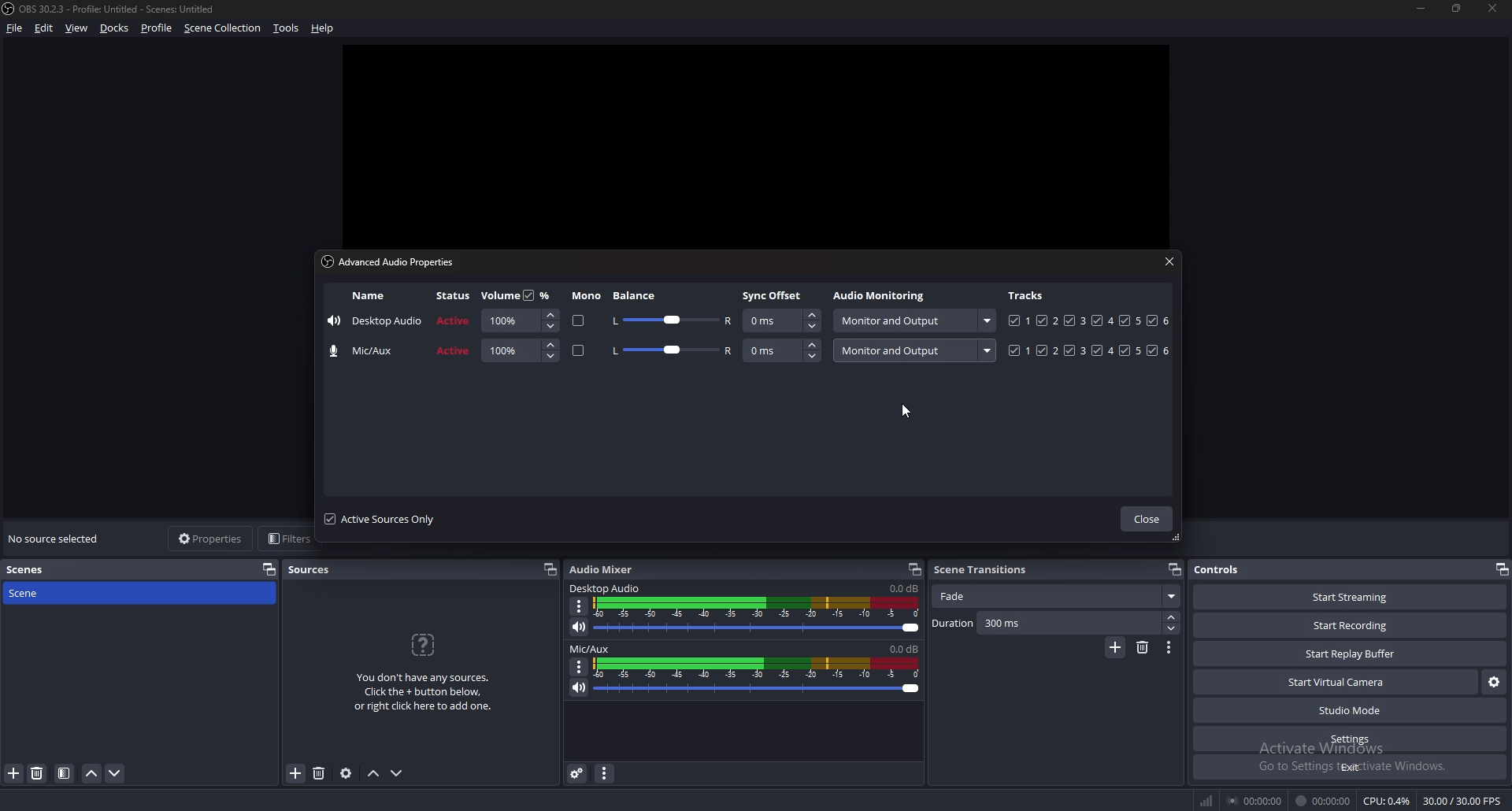 This screenshot has width=1512, height=811. I want to click on audio mixer, so click(607, 570).